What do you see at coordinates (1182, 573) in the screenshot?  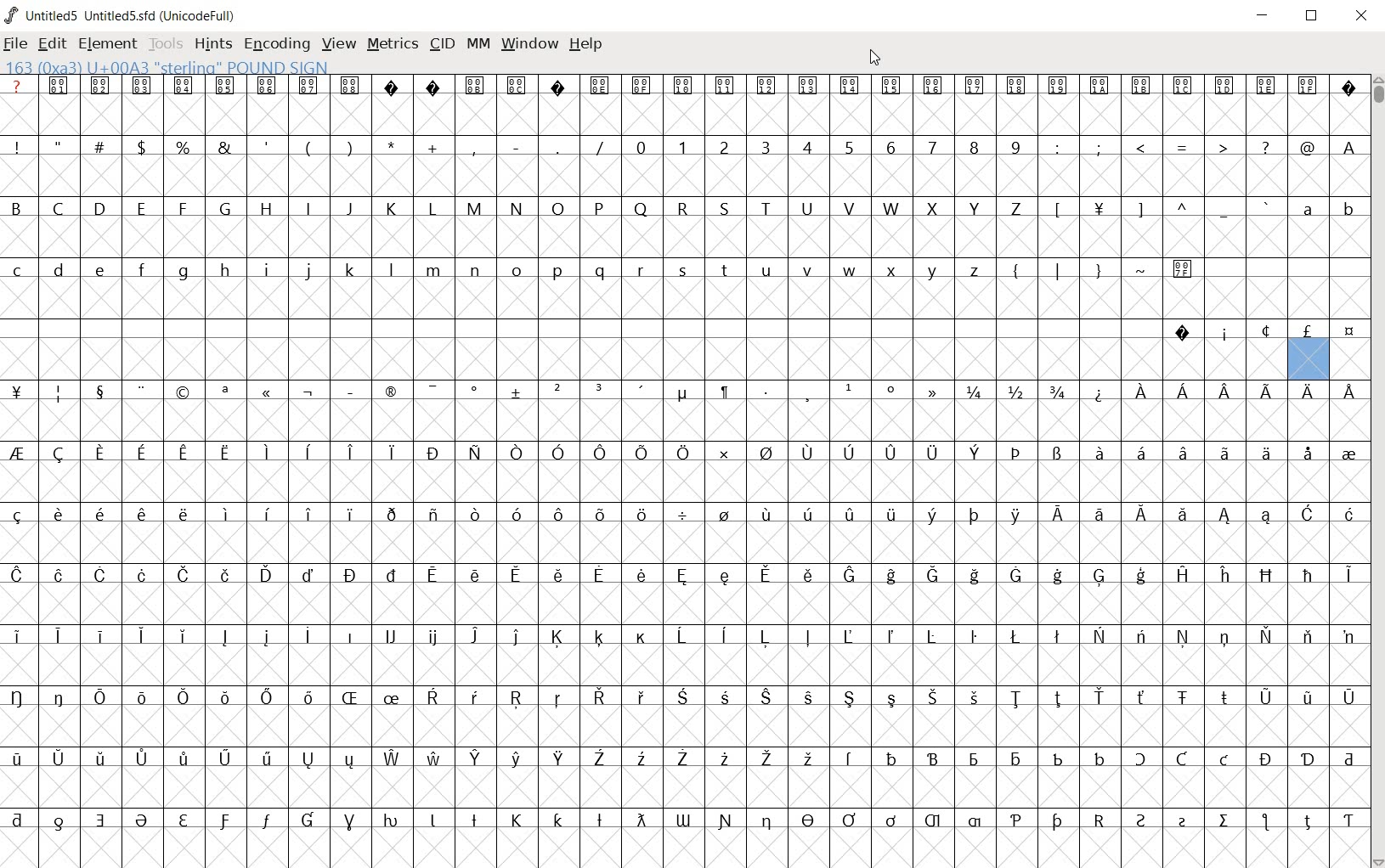 I see `Symbol` at bounding box center [1182, 573].